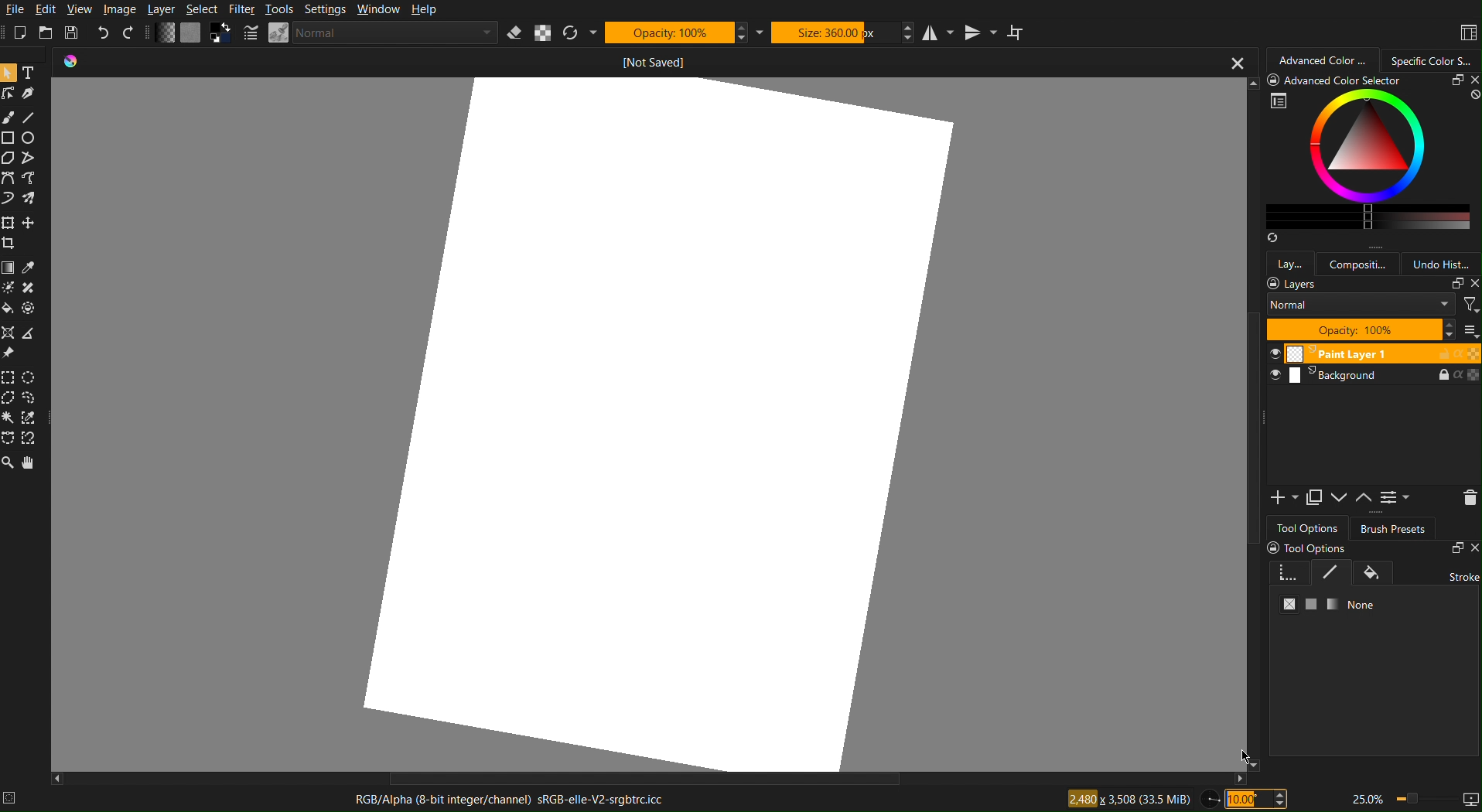 This screenshot has width=1482, height=812. What do you see at coordinates (1019, 32) in the screenshot?
I see `Wrap around` at bounding box center [1019, 32].